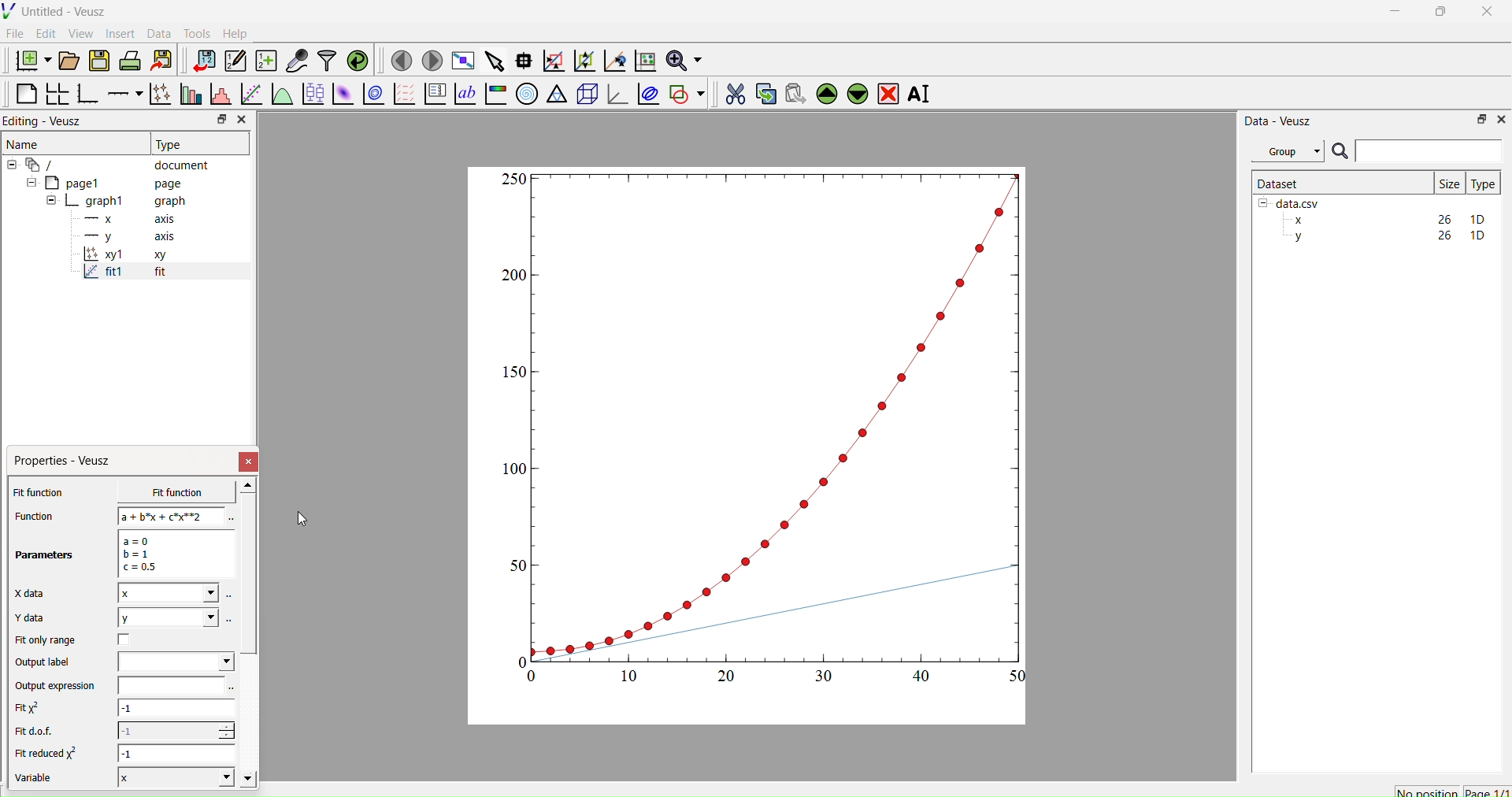 The image size is (1512, 797). I want to click on x, so click(165, 492).